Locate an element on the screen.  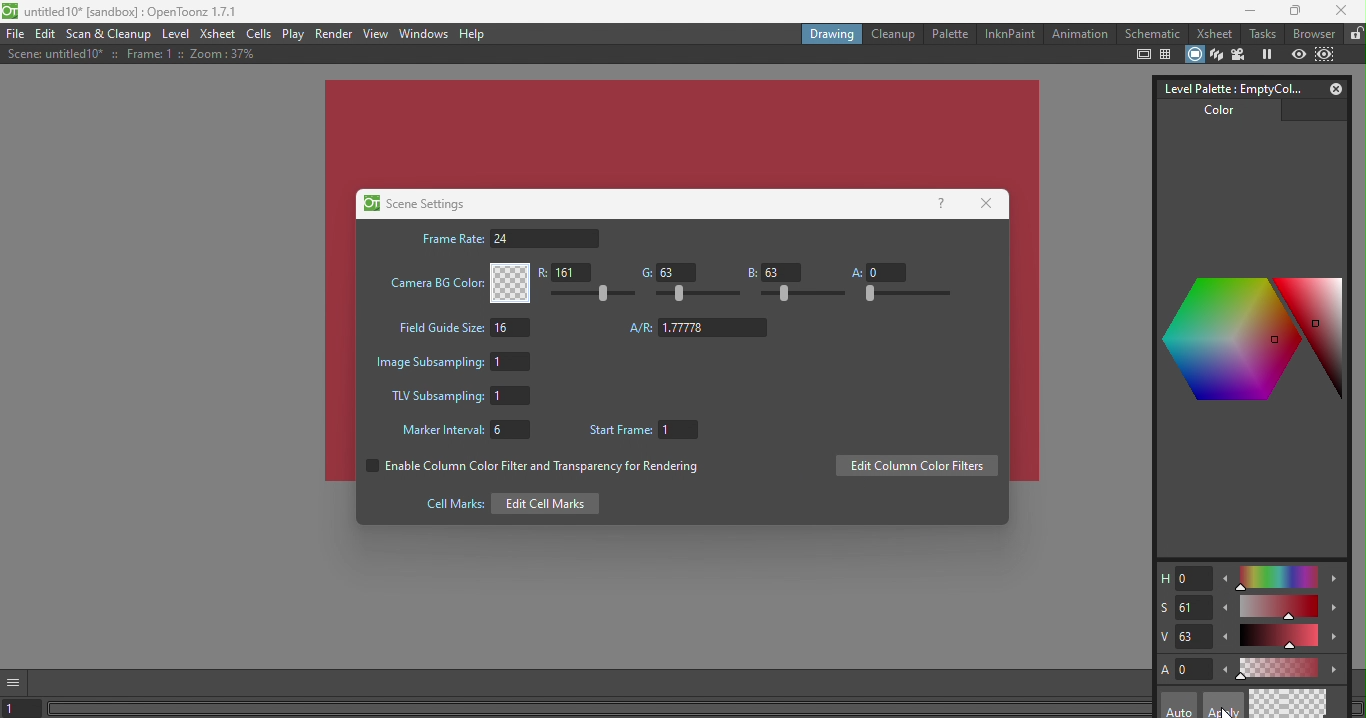
Slide bar is located at coordinates (598, 294).